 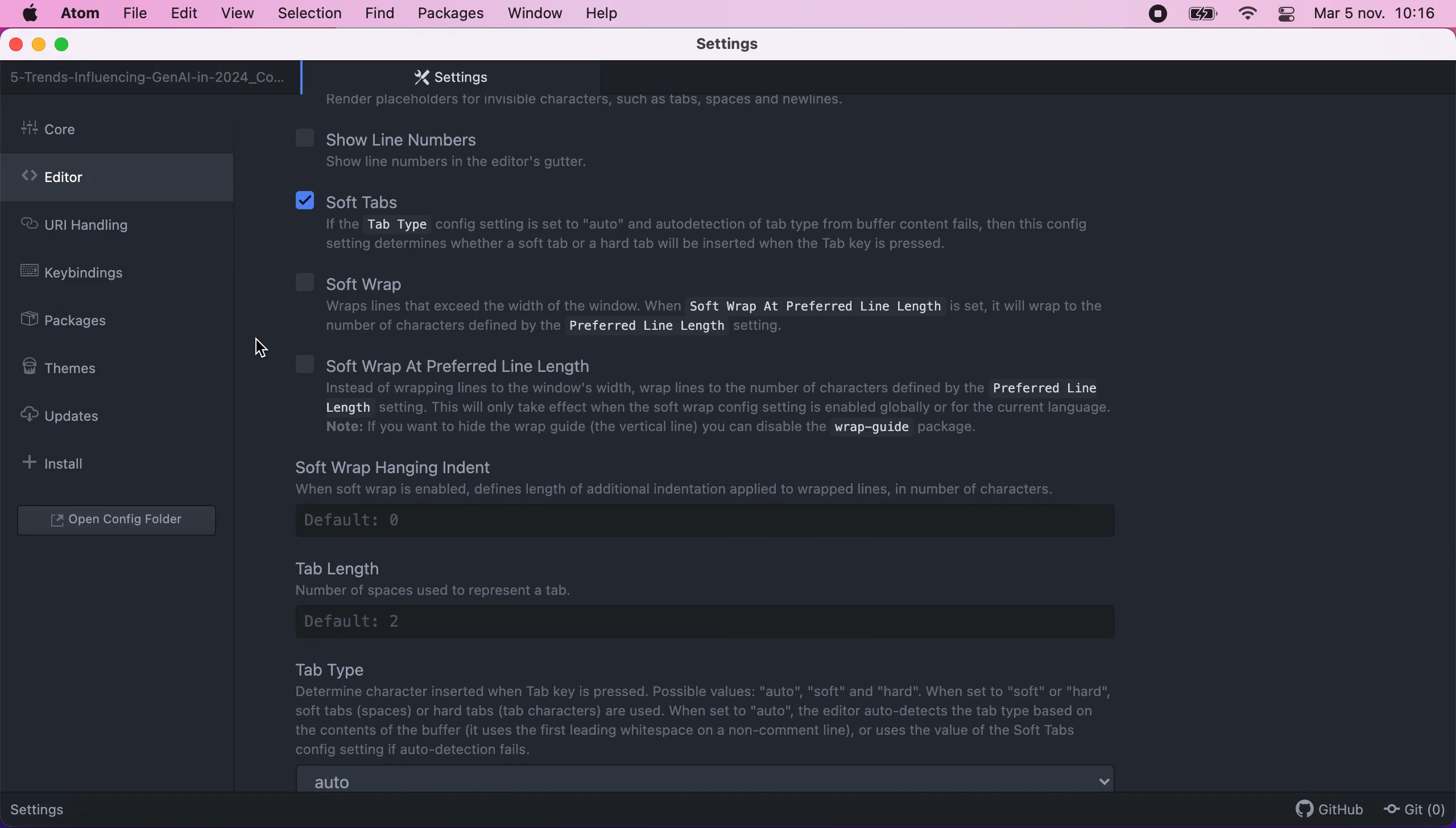 I want to click on Git (0), so click(x=1411, y=809).